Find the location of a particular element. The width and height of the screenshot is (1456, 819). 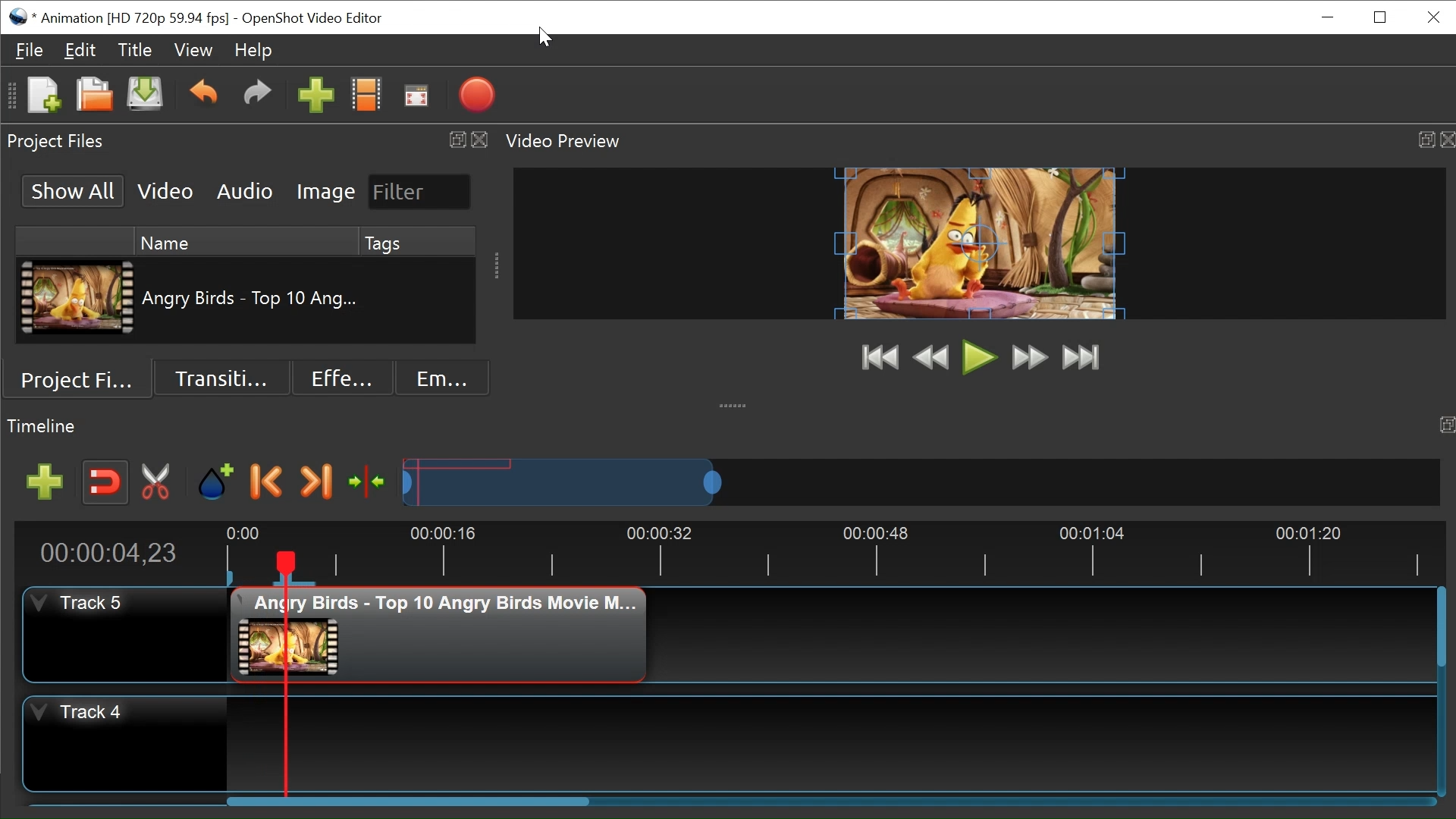

Add Track is located at coordinates (44, 482).